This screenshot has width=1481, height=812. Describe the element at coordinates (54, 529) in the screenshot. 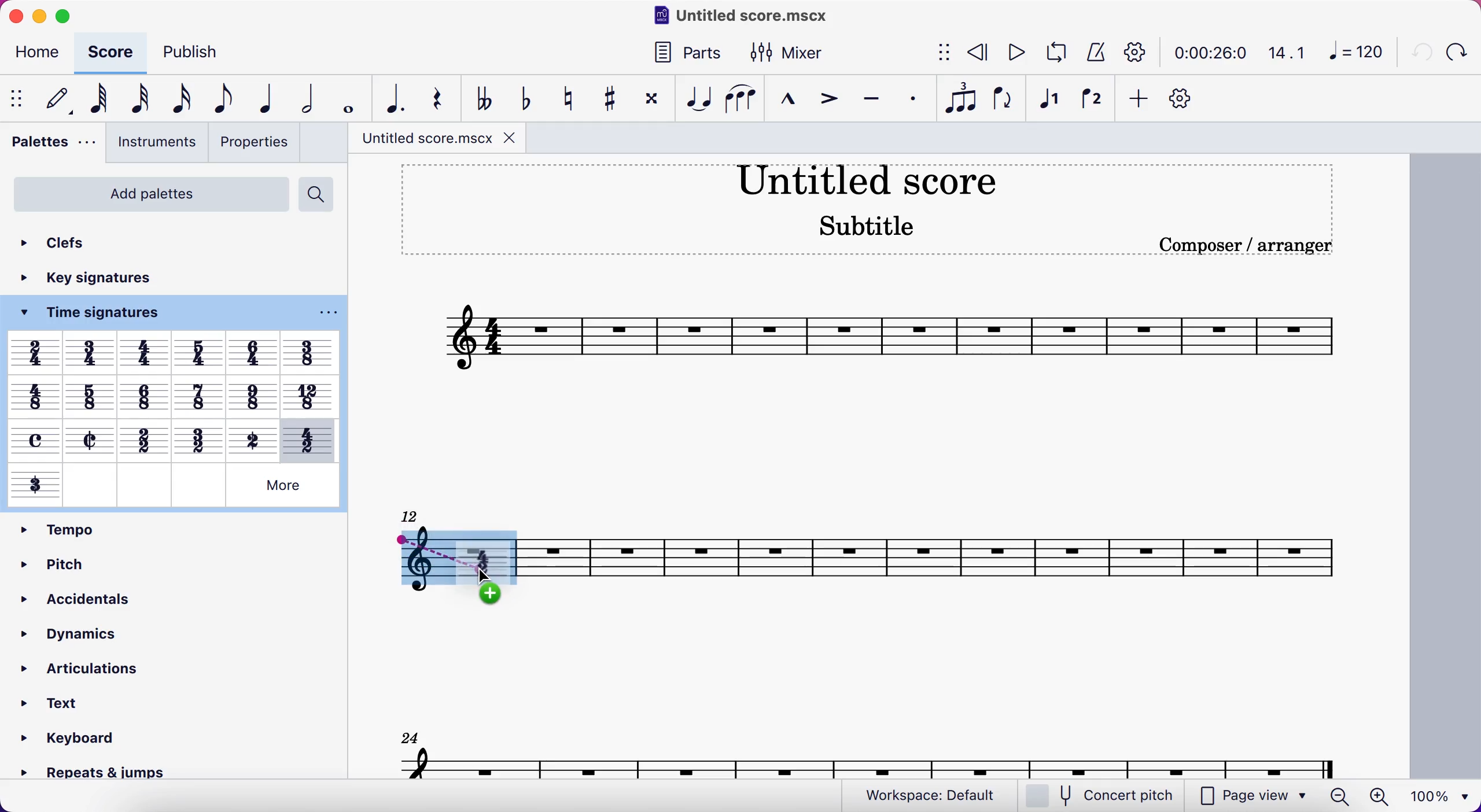

I see `tempo` at that location.